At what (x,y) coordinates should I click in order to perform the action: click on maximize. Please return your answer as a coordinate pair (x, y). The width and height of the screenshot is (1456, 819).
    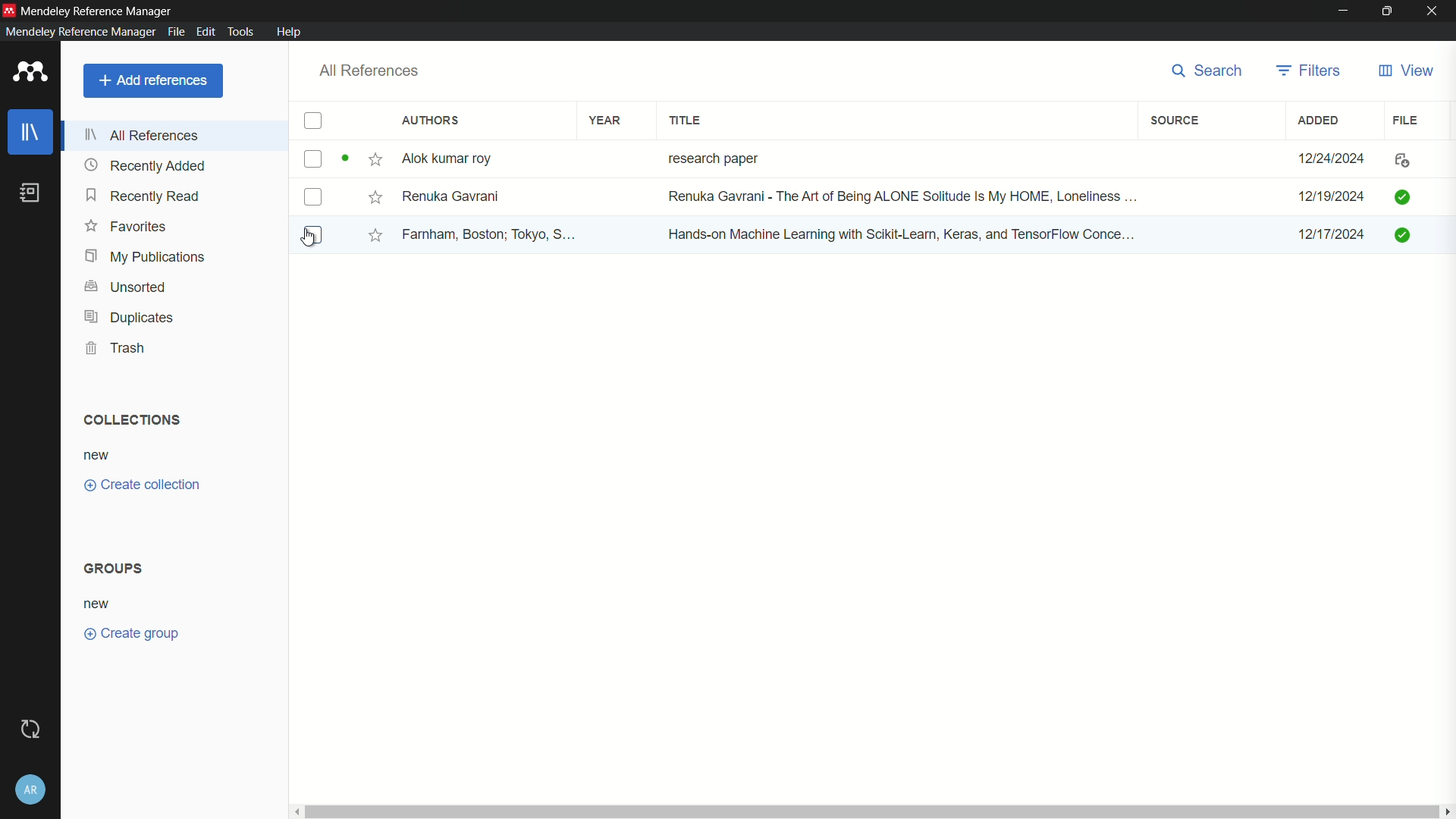
    Looking at the image, I should click on (1387, 11).